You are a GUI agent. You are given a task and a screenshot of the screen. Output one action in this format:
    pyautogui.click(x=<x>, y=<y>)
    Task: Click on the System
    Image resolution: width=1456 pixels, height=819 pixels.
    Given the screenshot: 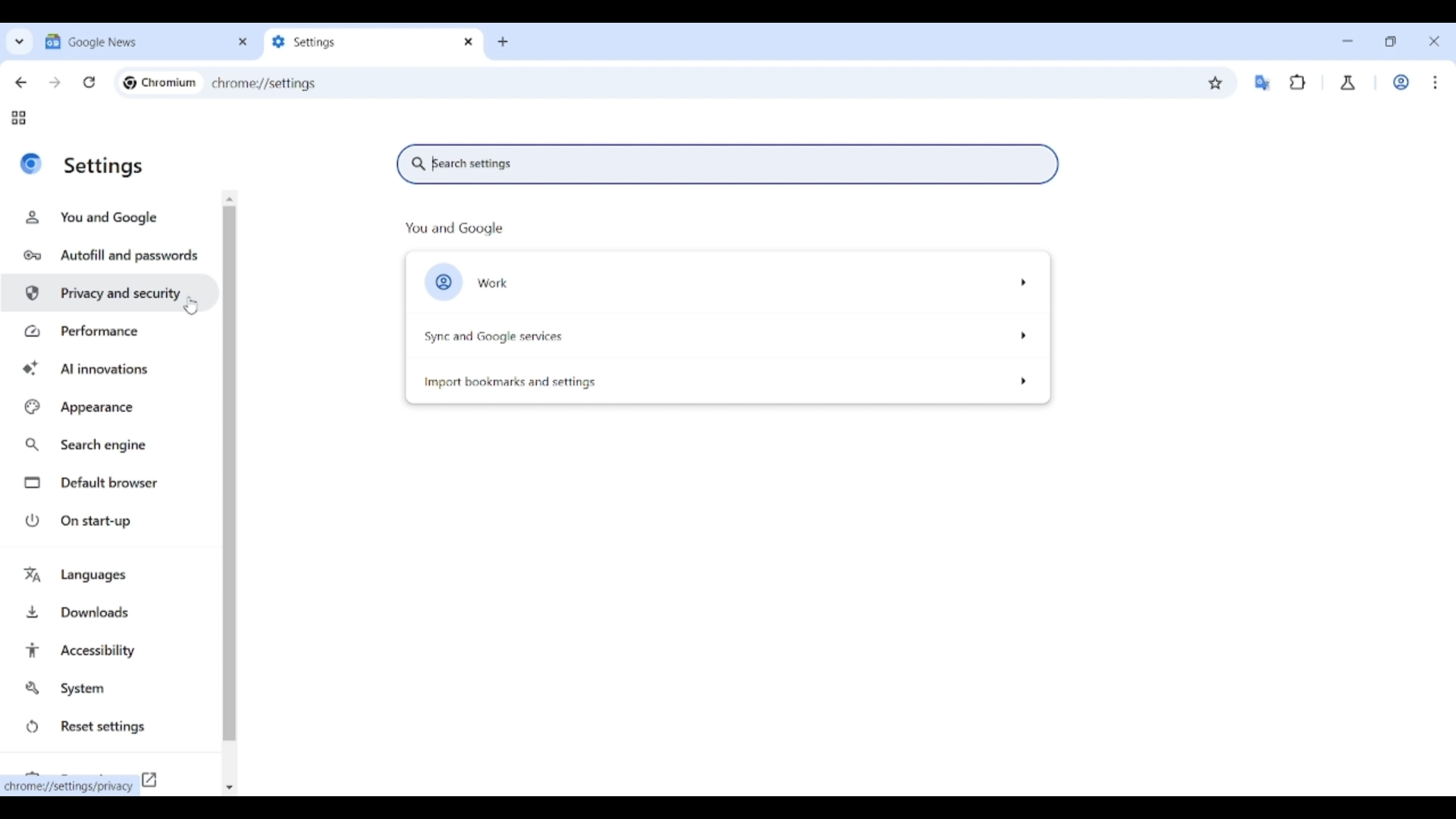 What is the action you would take?
    pyautogui.click(x=109, y=689)
    